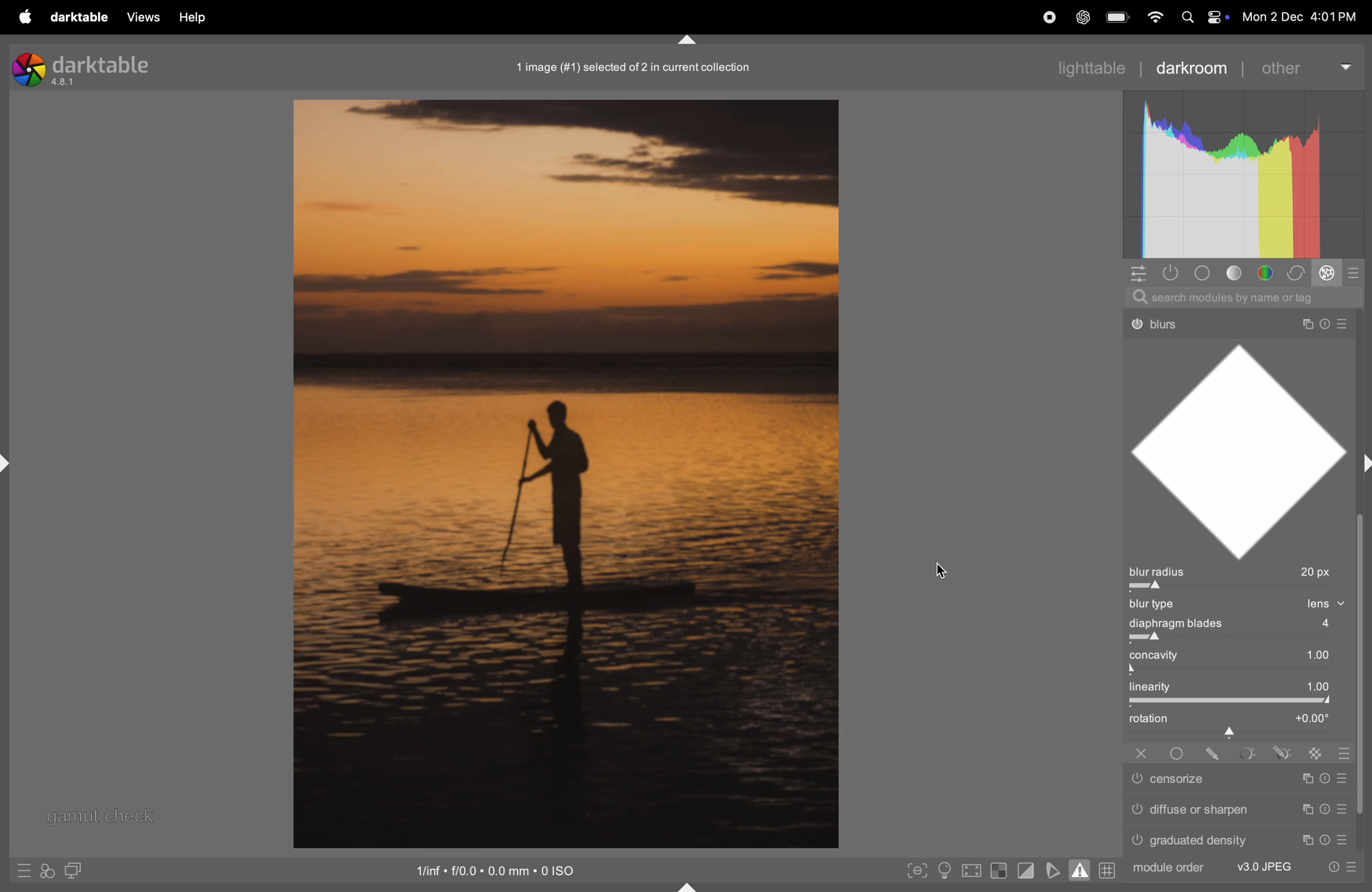  What do you see at coordinates (1239, 781) in the screenshot?
I see `` at bounding box center [1239, 781].